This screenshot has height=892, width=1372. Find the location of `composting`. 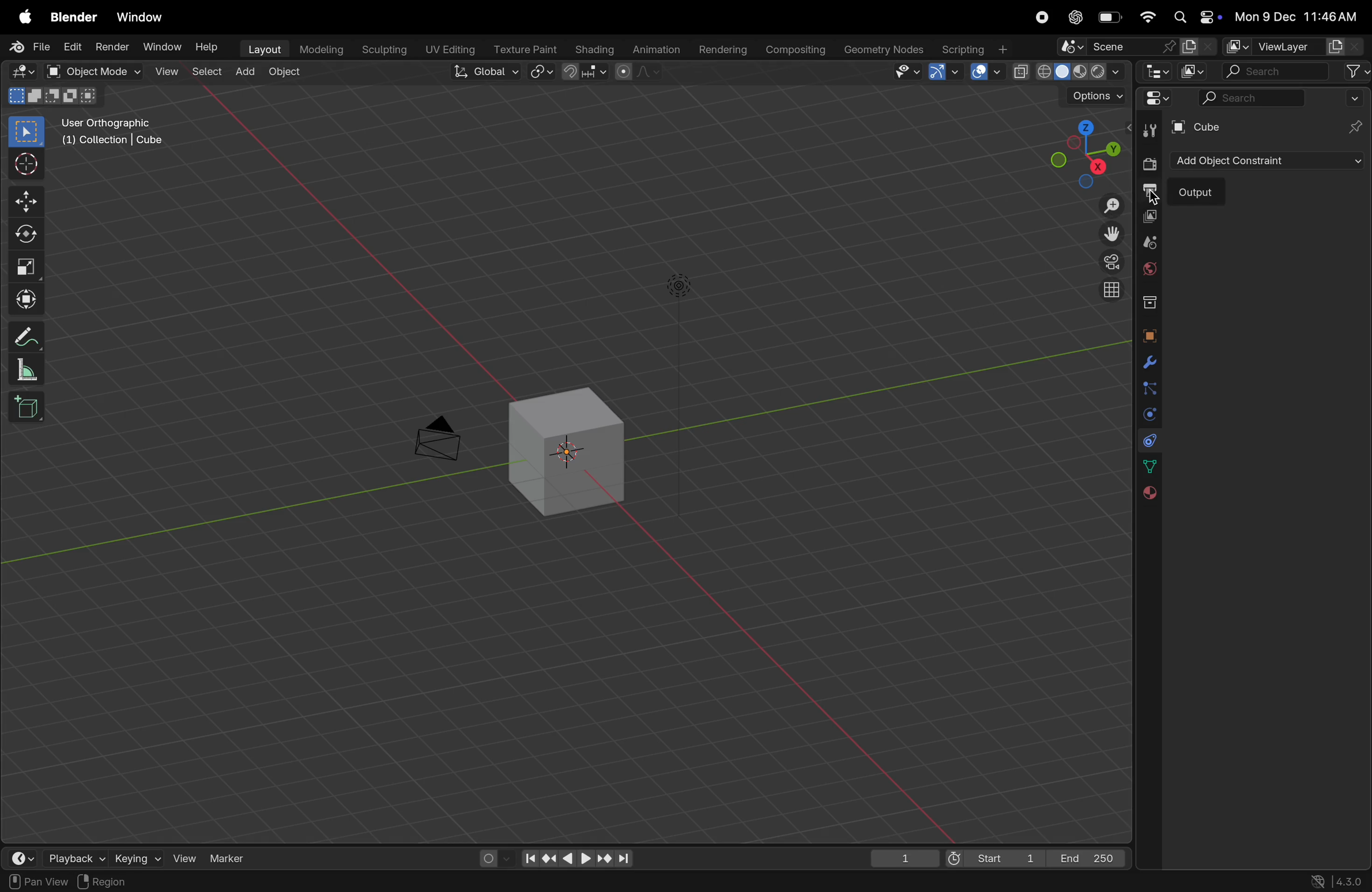

composting is located at coordinates (797, 50).